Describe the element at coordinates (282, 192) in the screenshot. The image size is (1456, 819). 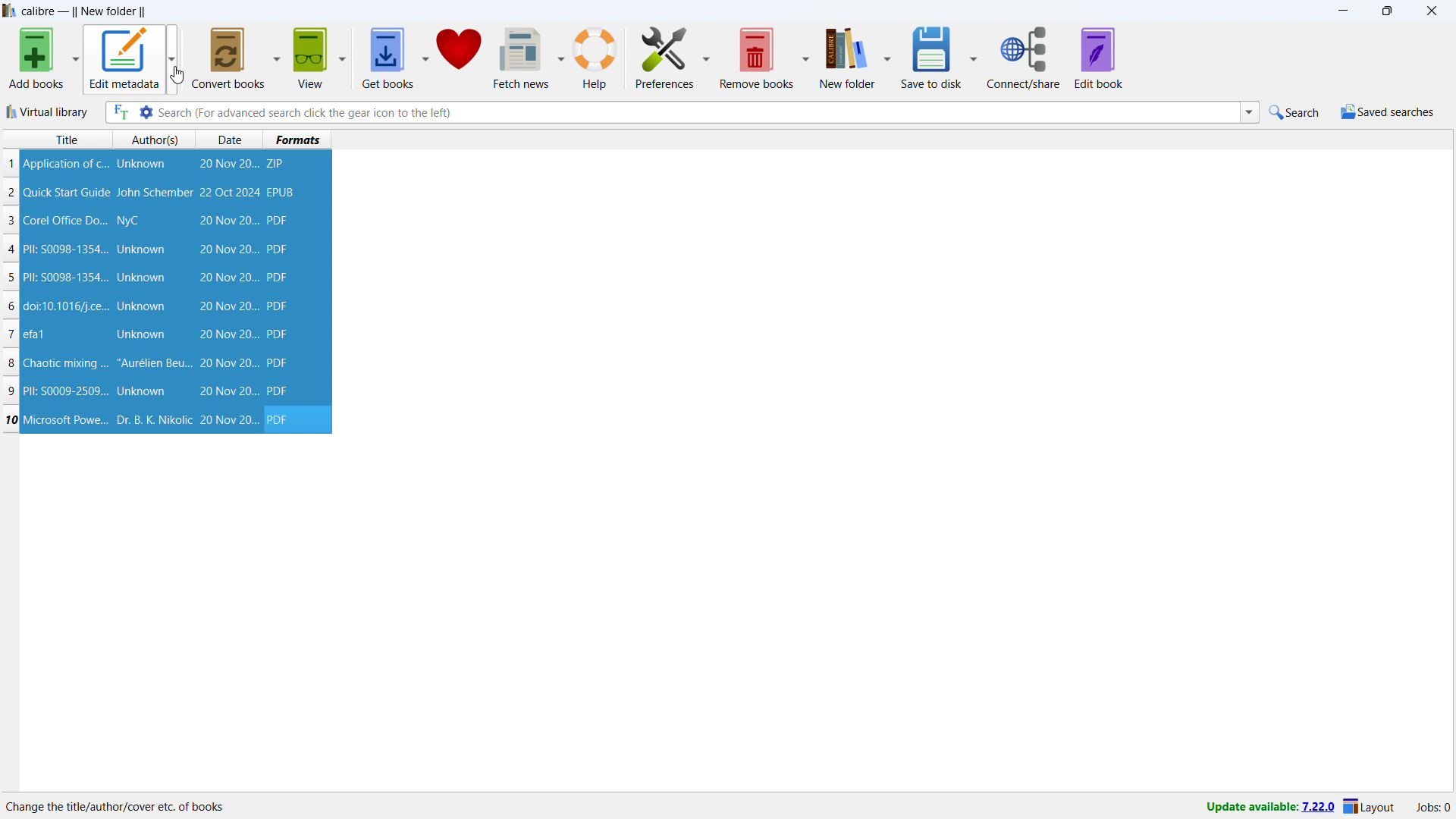
I see `EPUB` at that location.